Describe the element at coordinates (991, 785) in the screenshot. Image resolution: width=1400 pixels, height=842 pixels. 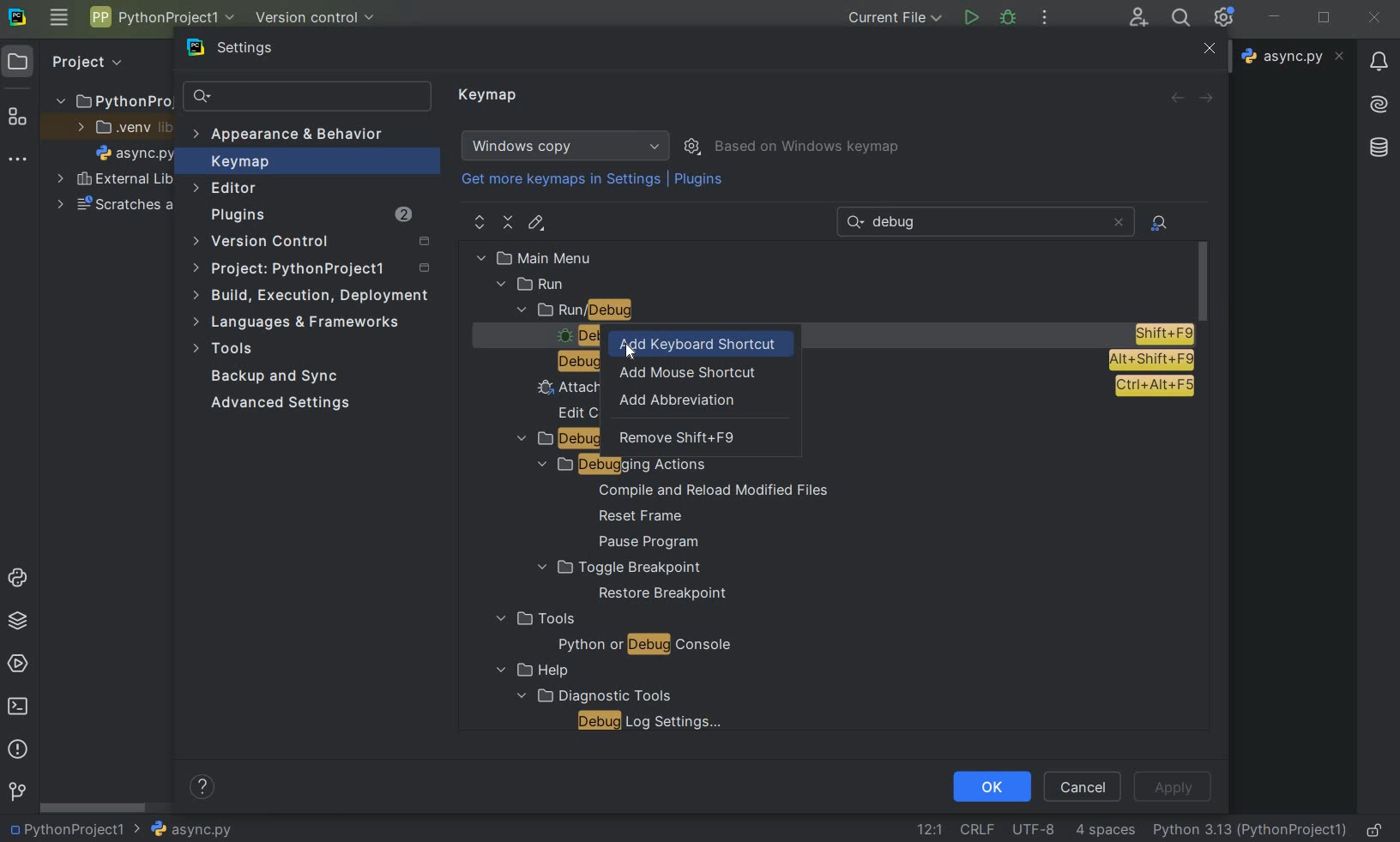
I see `ok` at that location.